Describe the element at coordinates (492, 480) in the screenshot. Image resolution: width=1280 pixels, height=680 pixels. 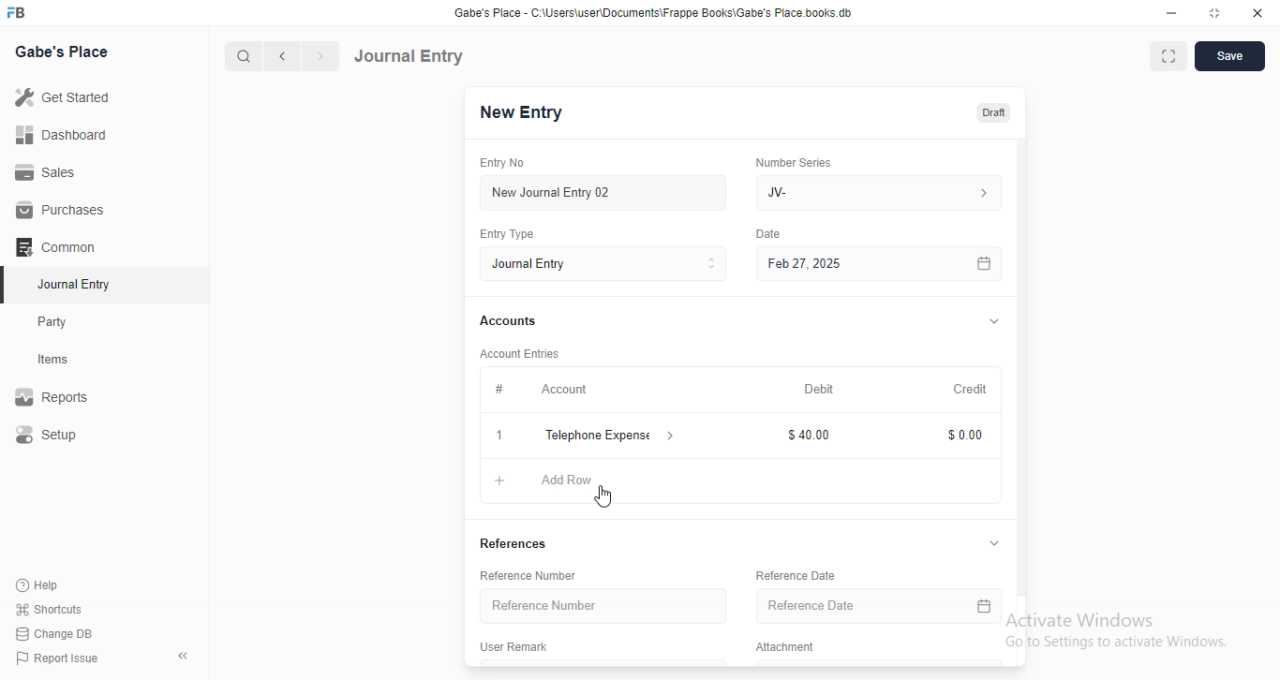
I see `Add` at that location.